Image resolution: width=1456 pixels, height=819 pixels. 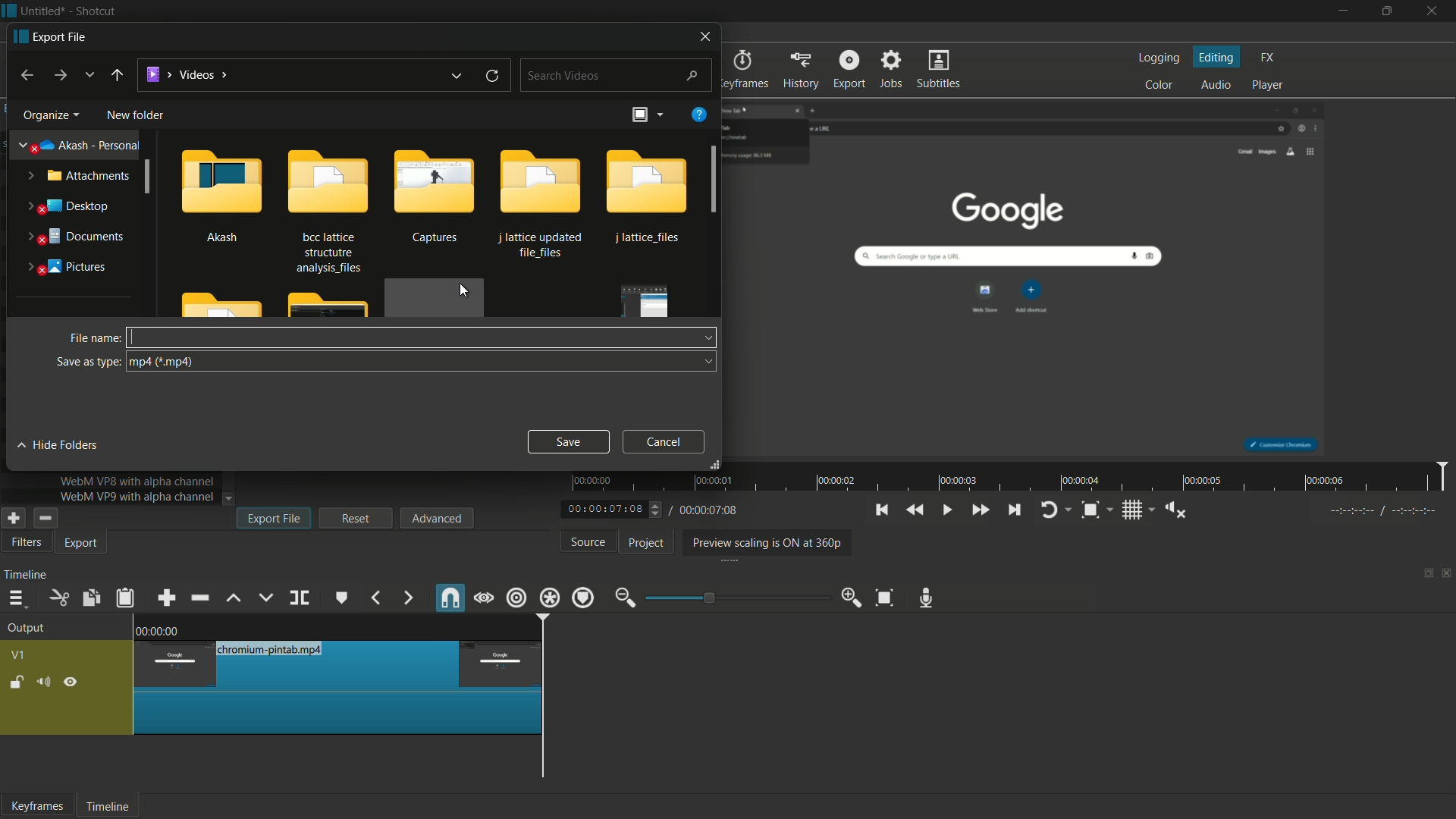 What do you see at coordinates (1013, 477) in the screenshot?
I see `time` at bounding box center [1013, 477].